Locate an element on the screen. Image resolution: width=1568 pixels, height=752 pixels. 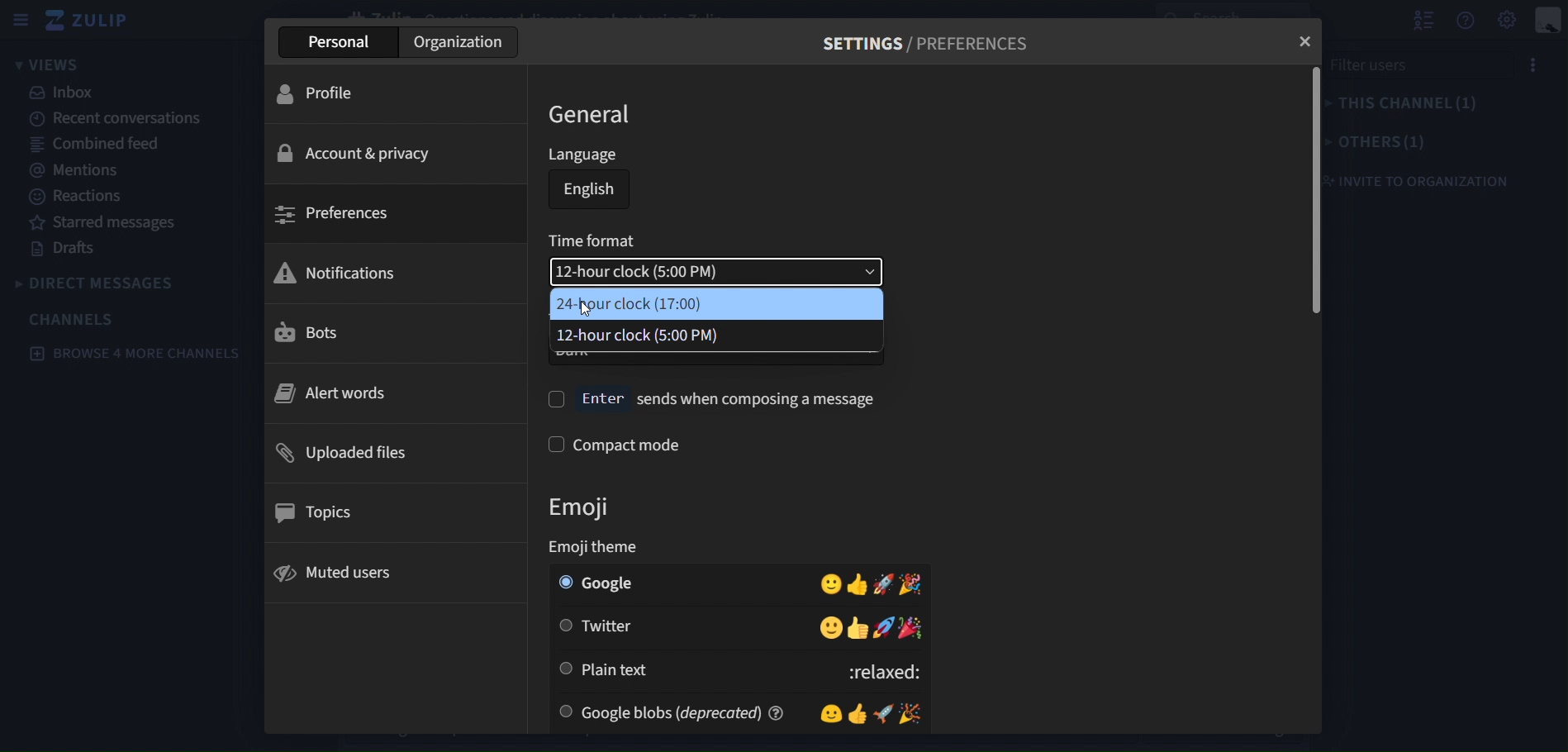
inbox is located at coordinates (62, 93).